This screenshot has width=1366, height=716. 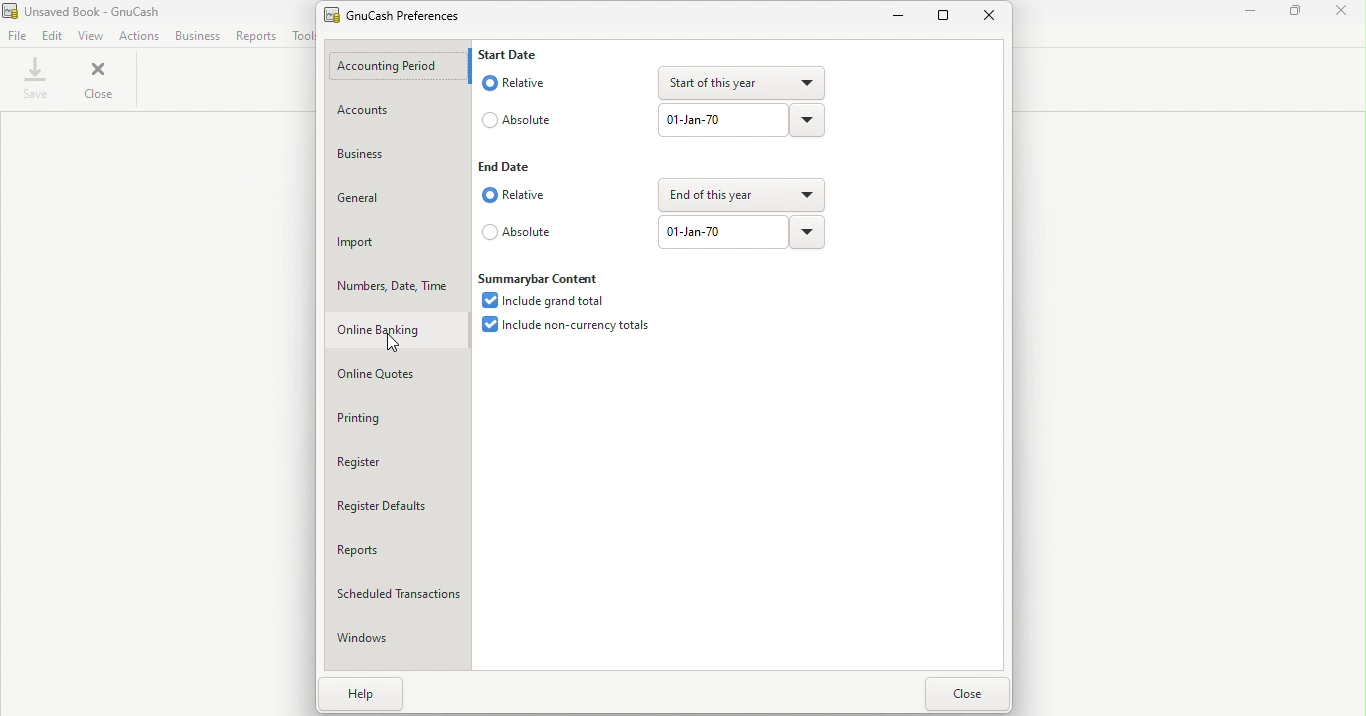 I want to click on Account, so click(x=399, y=112).